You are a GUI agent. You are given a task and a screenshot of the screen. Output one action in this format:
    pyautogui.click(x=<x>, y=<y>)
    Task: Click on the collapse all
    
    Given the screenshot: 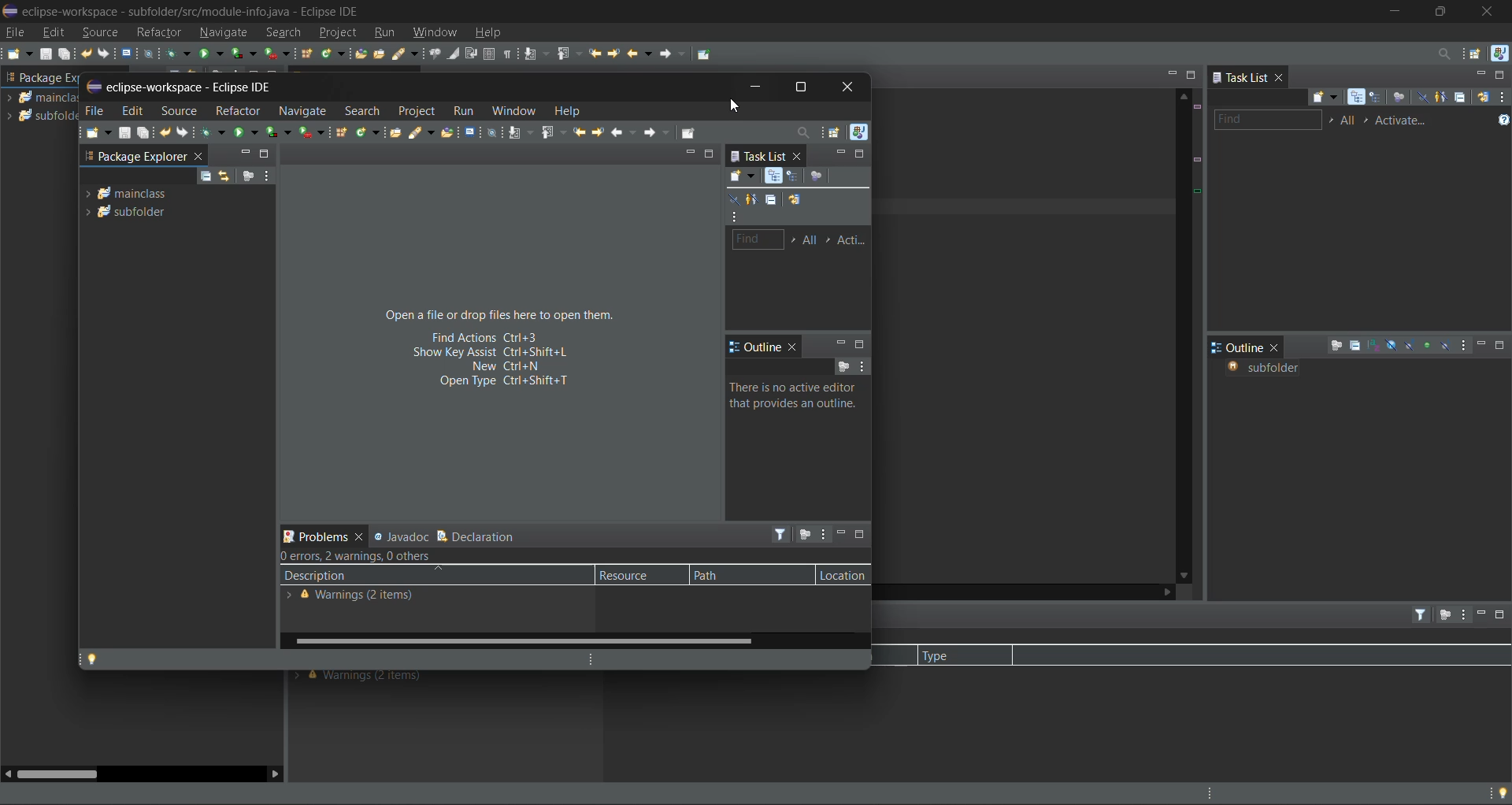 What is the action you would take?
    pyautogui.click(x=205, y=177)
    